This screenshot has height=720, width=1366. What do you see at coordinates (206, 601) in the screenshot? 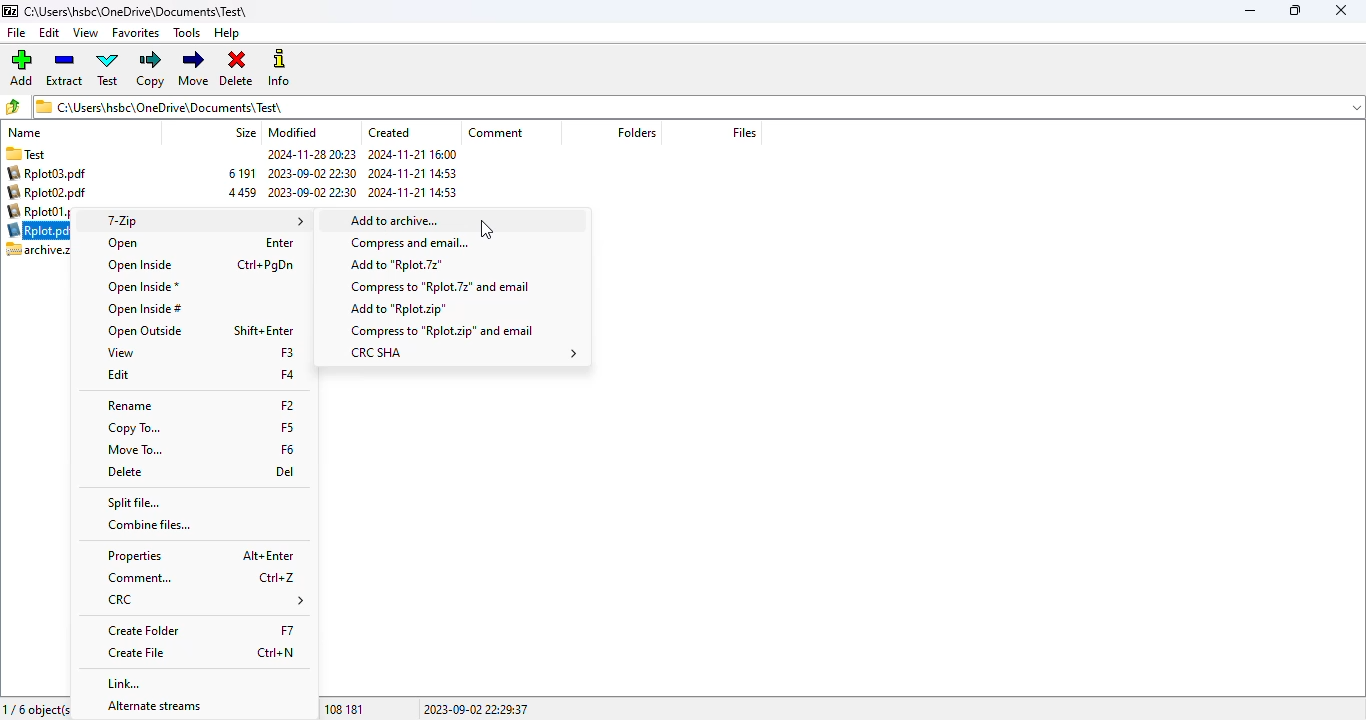
I see `CRC` at bounding box center [206, 601].